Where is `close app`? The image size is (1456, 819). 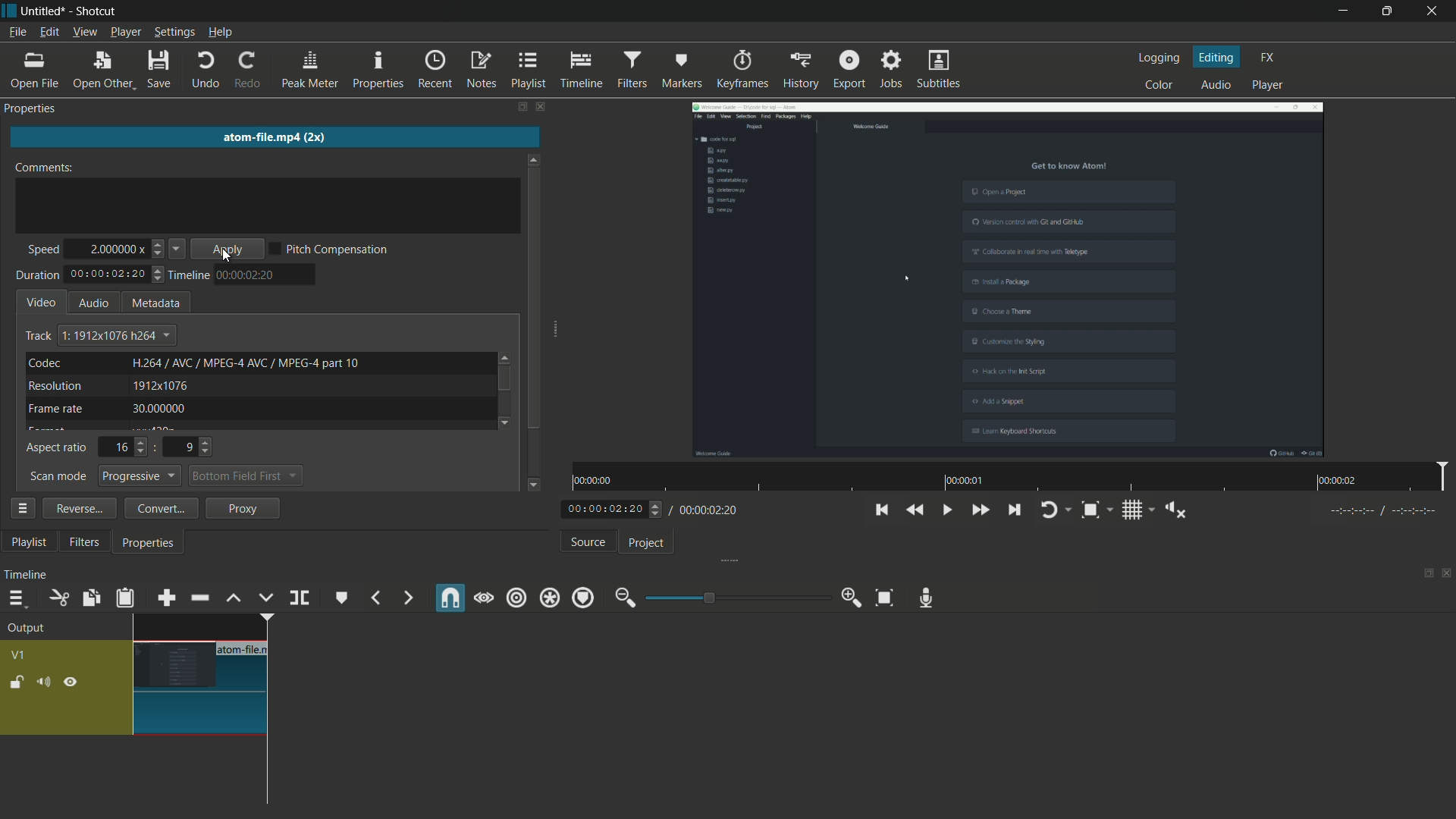 close app is located at coordinates (1436, 11).